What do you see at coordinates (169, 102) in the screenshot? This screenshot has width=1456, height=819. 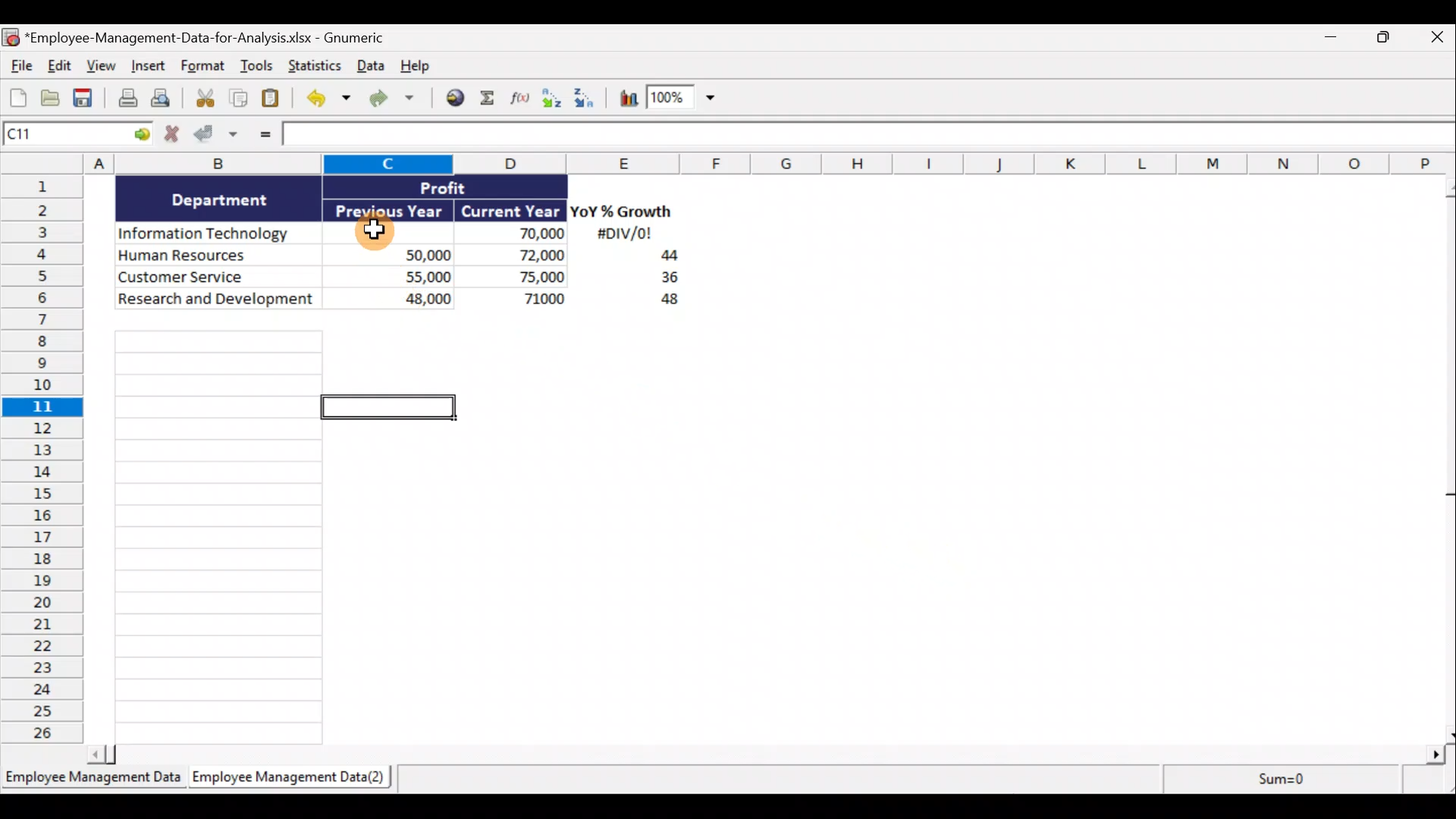 I see `Print preview` at bounding box center [169, 102].